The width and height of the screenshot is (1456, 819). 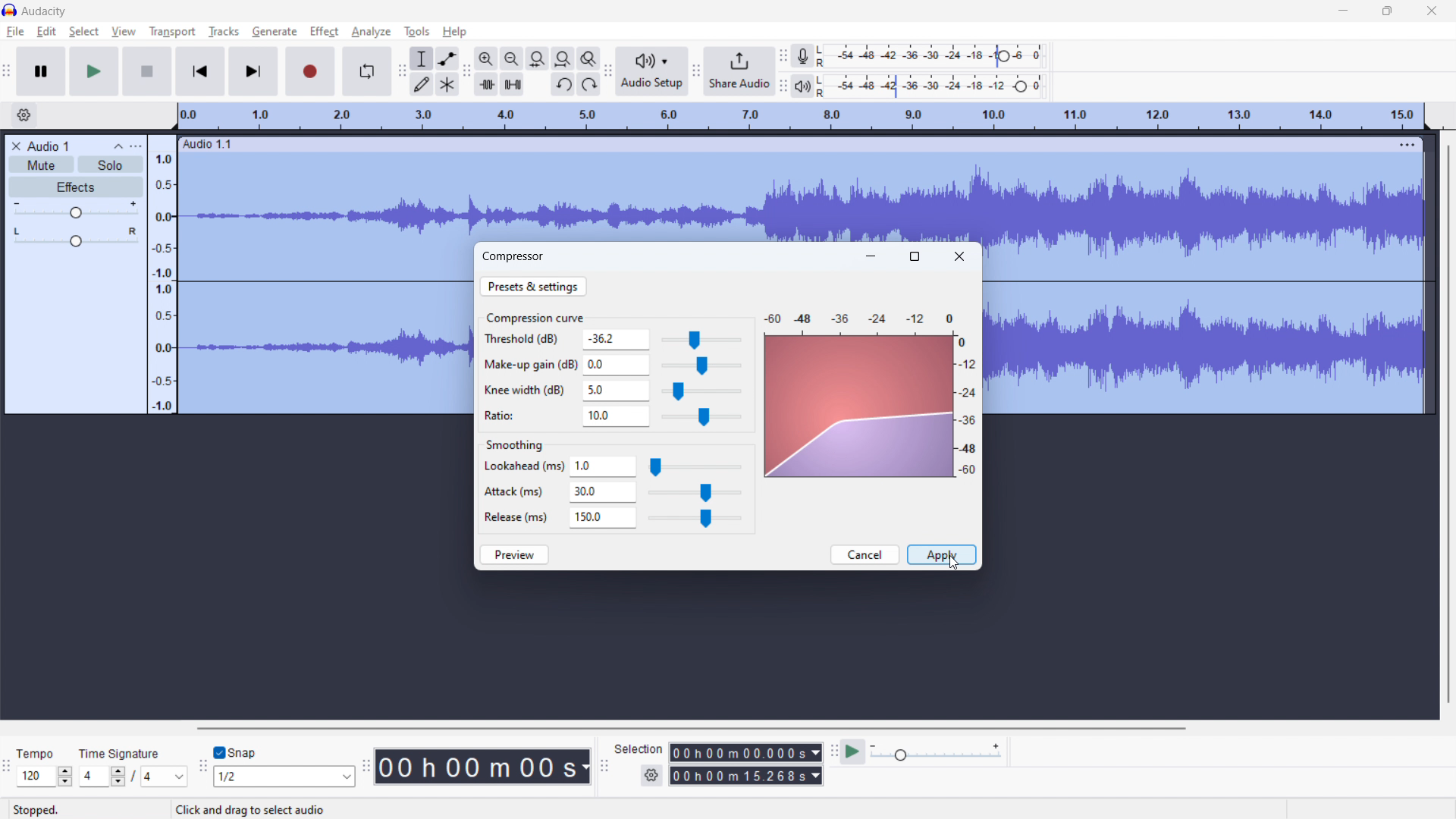 What do you see at coordinates (745, 748) in the screenshot?
I see `00h00m00.000s (start time)` at bounding box center [745, 748].